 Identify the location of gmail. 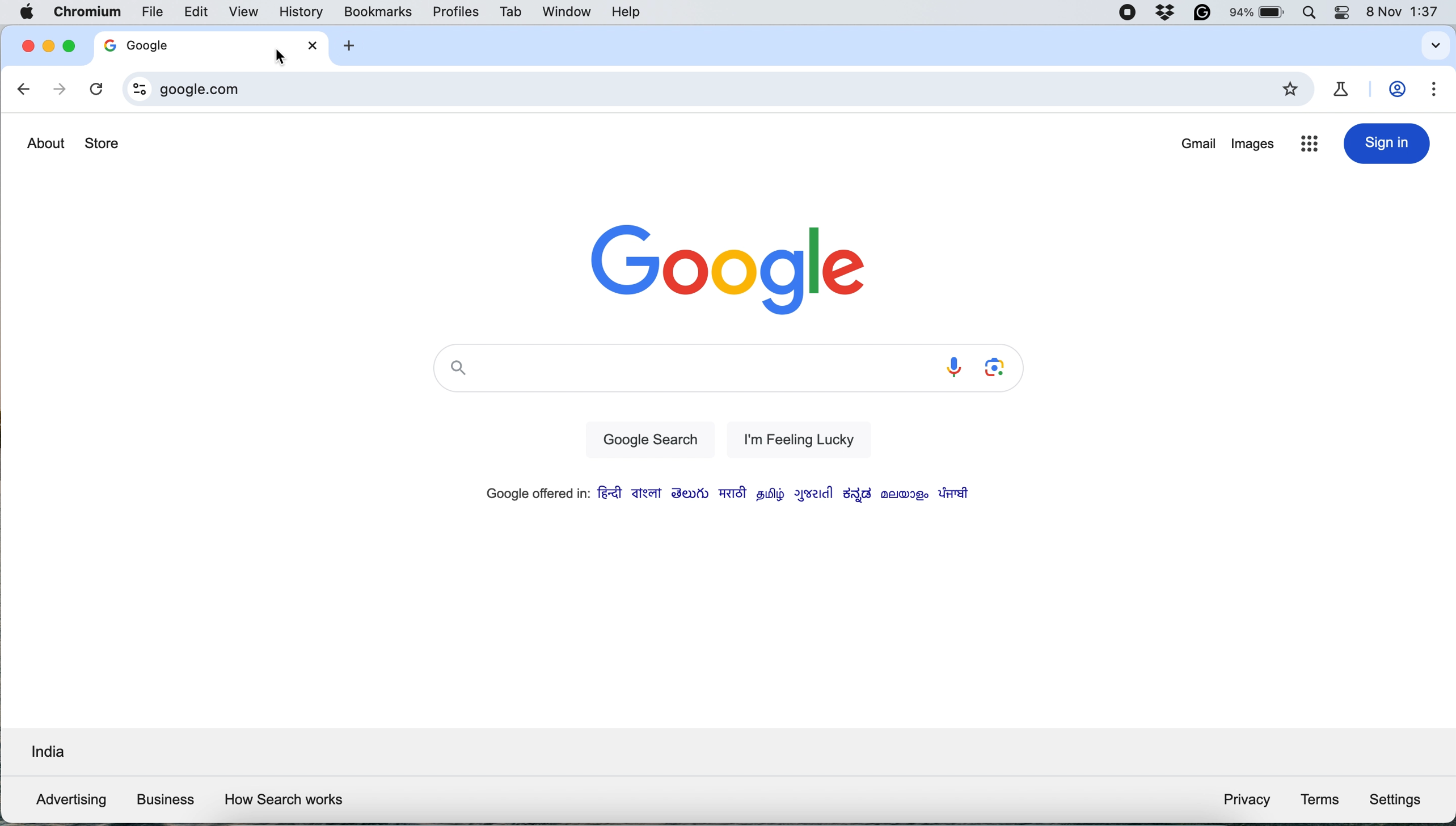
(1199, 145).